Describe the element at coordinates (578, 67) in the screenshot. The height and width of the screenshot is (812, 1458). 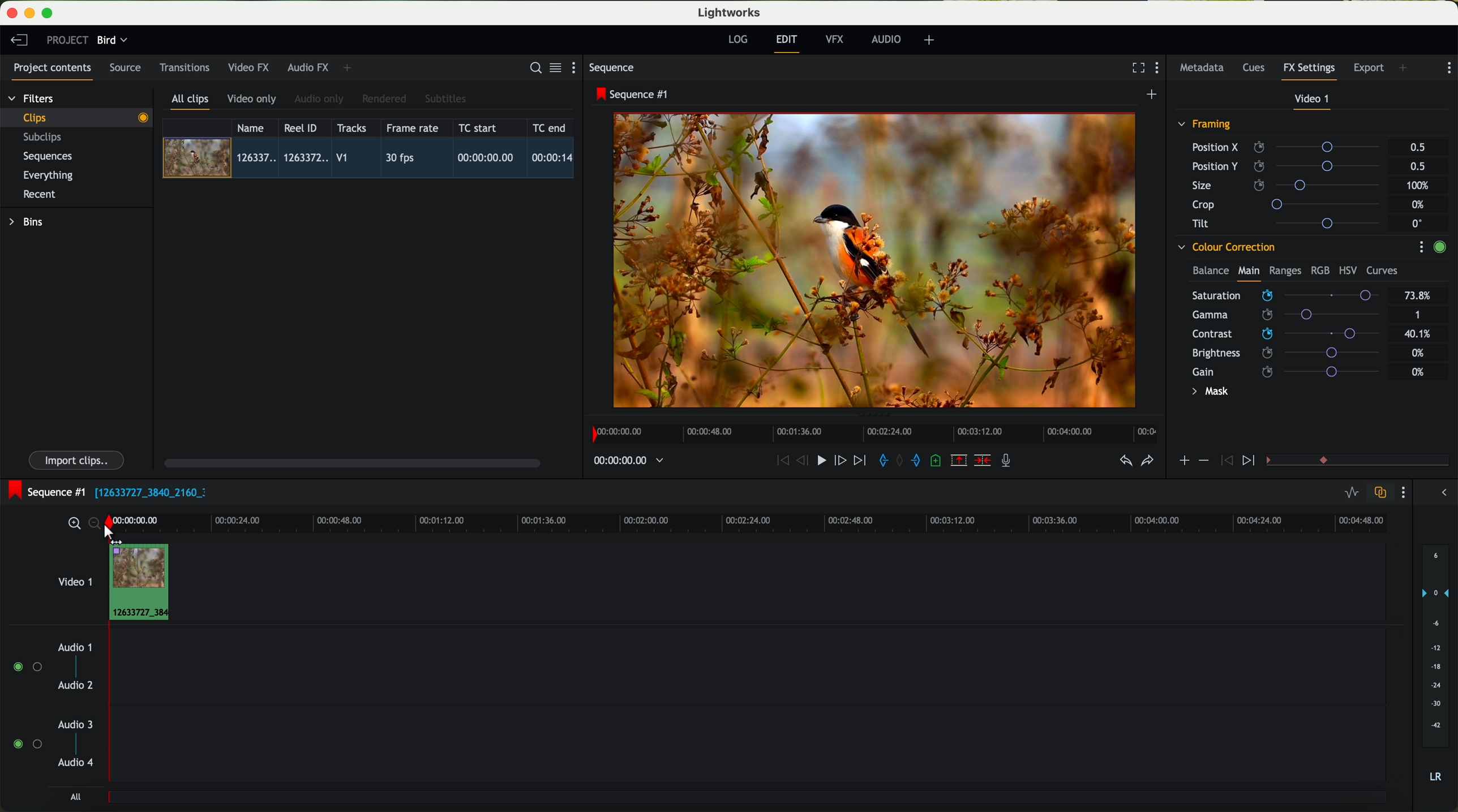
I see `show settings menu` at that location.